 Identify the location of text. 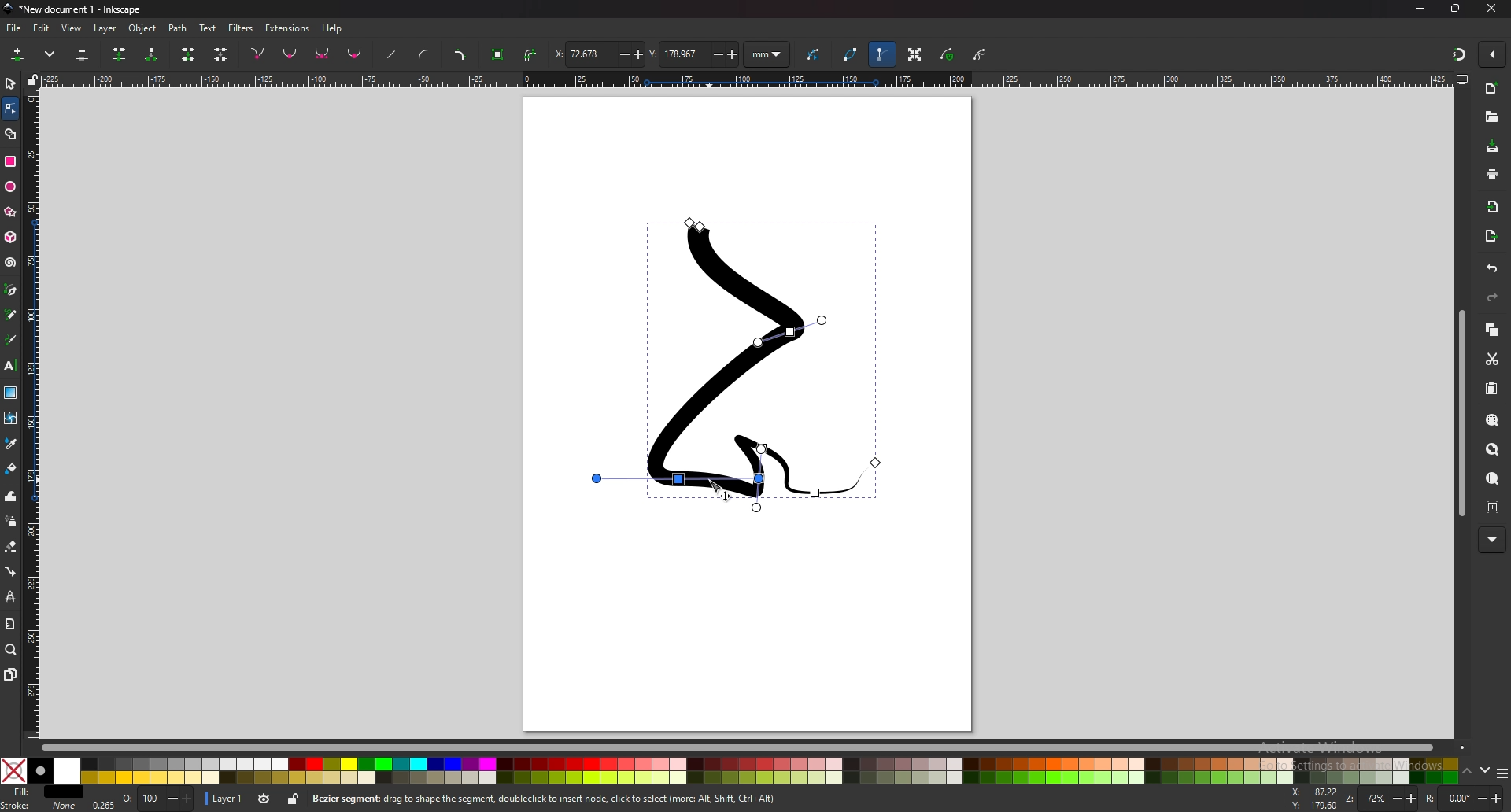
(207, 28).